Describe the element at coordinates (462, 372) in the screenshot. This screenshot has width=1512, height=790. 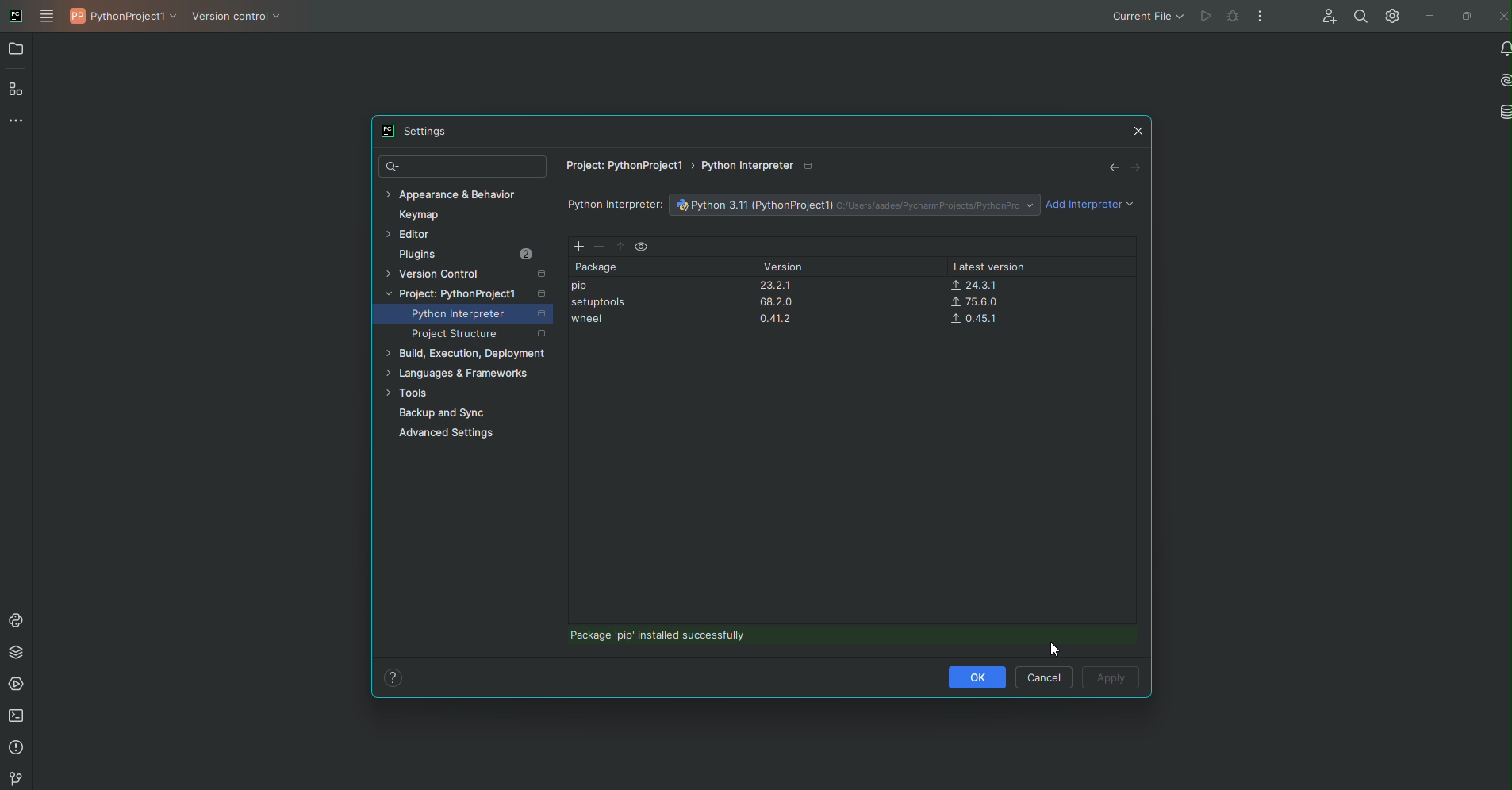
I see `languages and Frameworks` at that location.